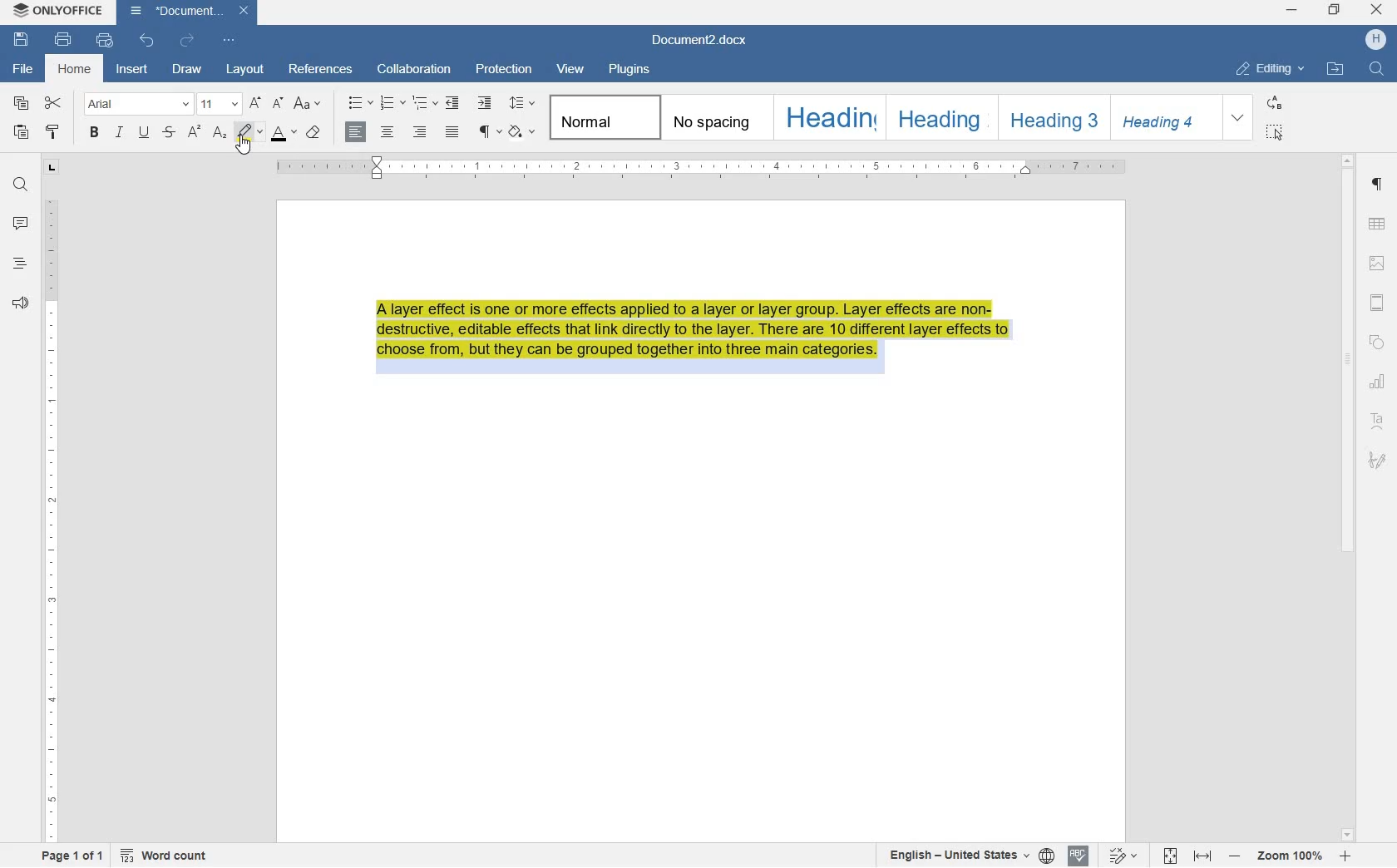 This screenshot has width=1397, height=868. I want to click on PARAGRAPGH HIGHLIGHTED IN YELLOW, so click(703, 339).